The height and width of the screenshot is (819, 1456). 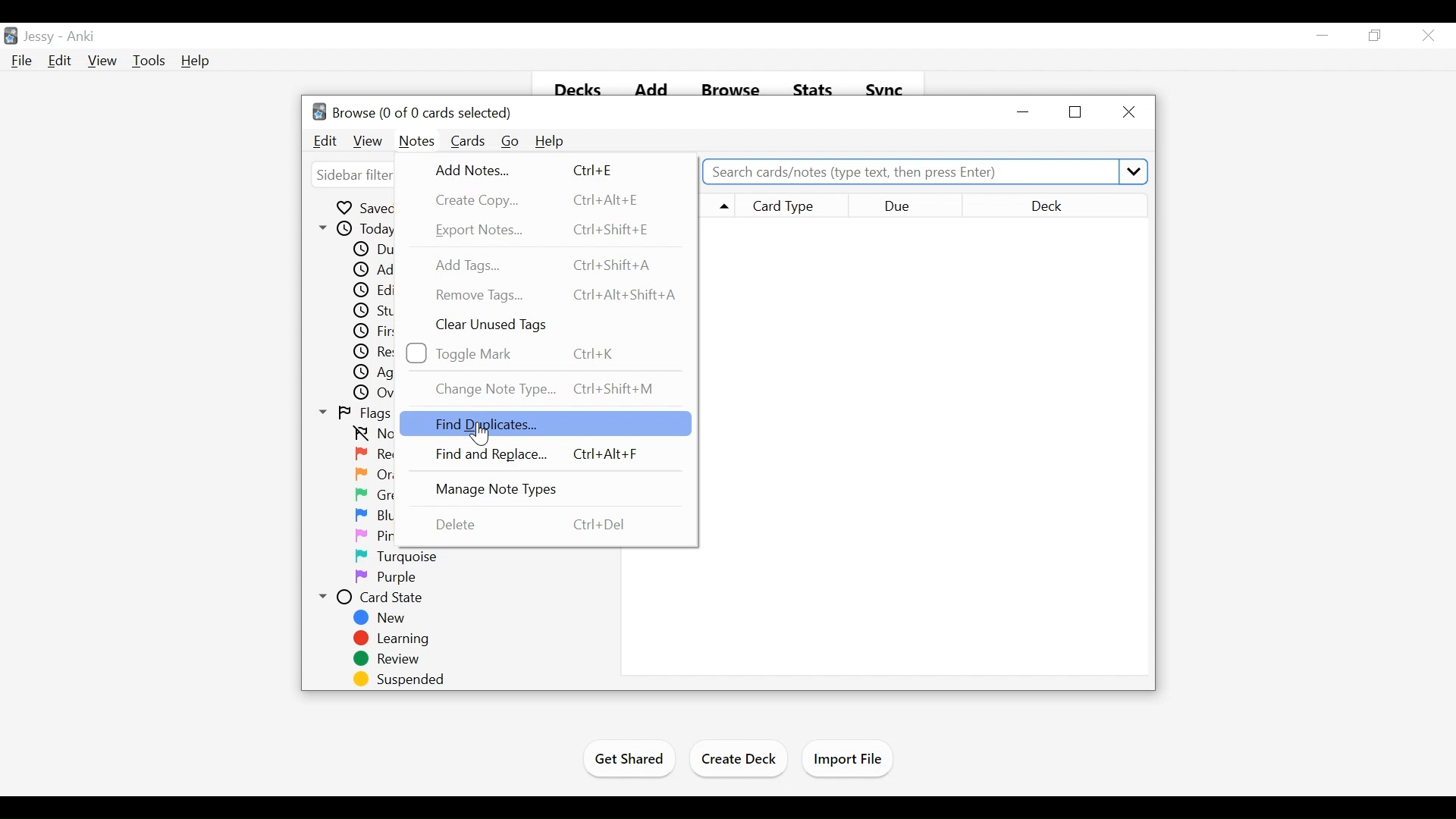 What do you see at coordinates (1426, 35) in the screenshot?
I see `Close` at bounding box center [1426, 35].